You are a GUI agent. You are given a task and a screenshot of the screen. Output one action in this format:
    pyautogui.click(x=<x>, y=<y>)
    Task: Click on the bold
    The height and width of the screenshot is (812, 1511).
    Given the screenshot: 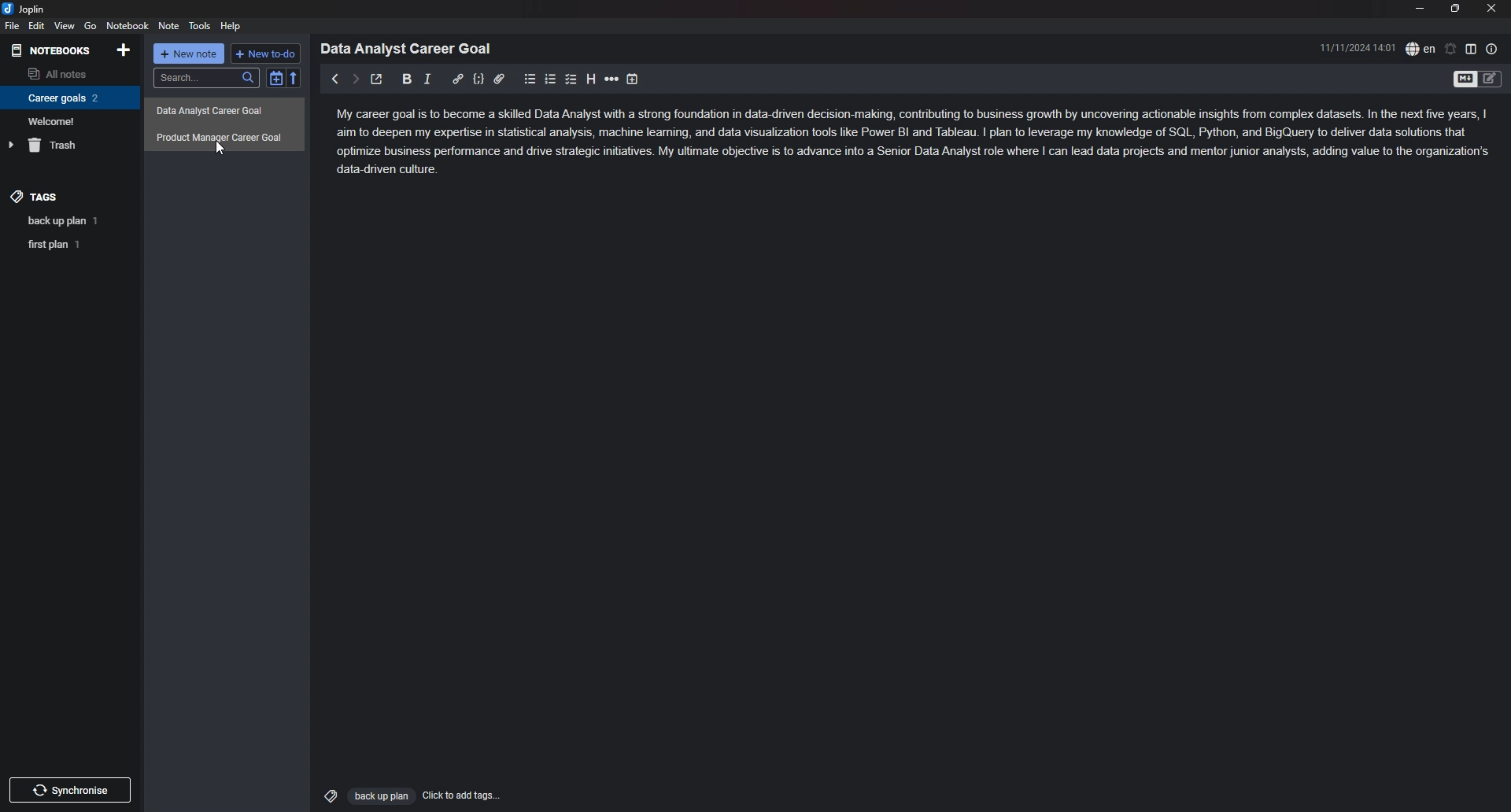 What is the action you would take?
    pyautogui.click(x=408, y=79)
    